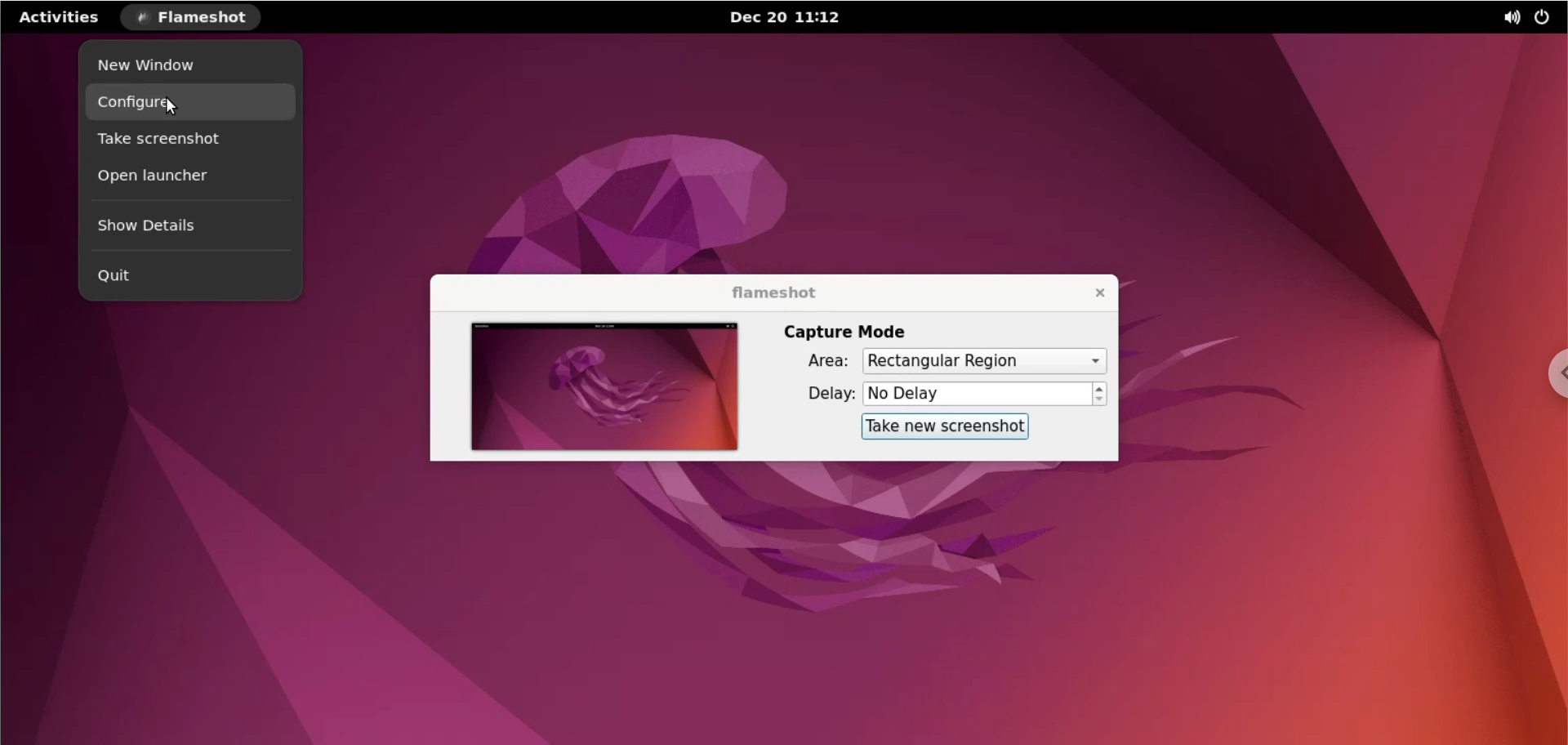  What do you see at coordinates (607, 386) in the screenshot?
I see `screenshot  preview` at bounding box center [607, 386].